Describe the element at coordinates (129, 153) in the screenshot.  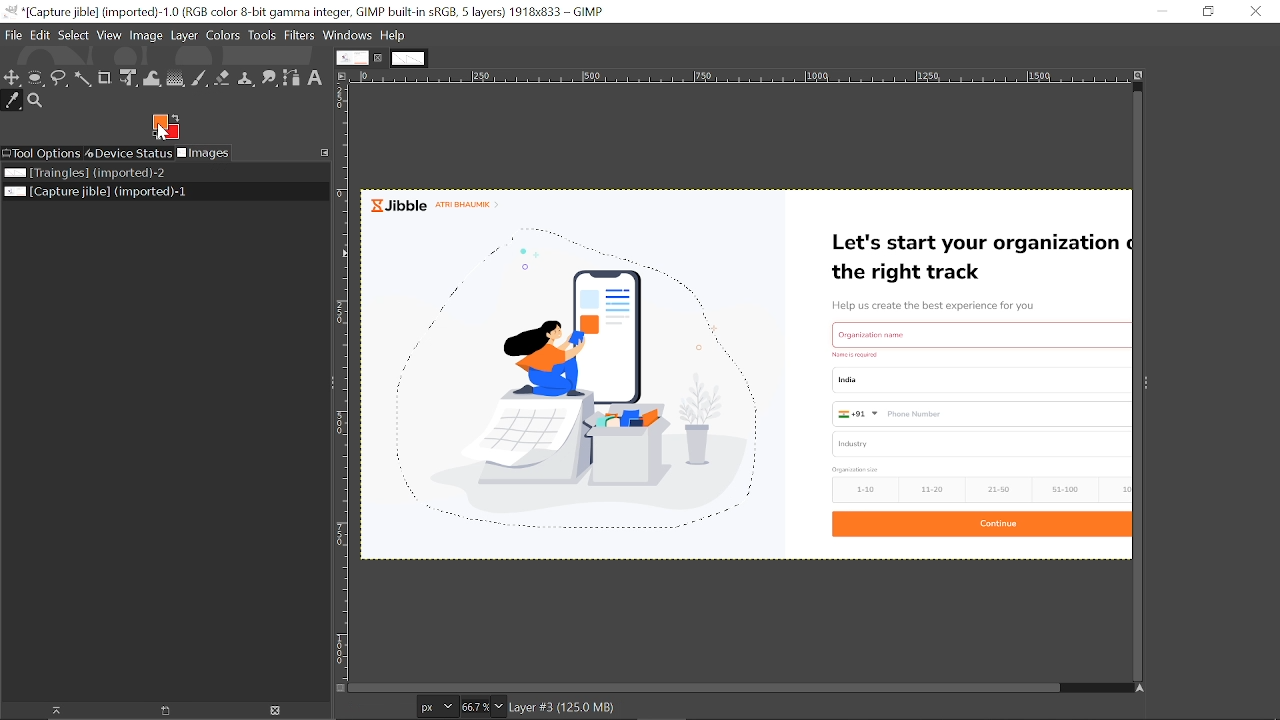
I see `Device status` at that location.